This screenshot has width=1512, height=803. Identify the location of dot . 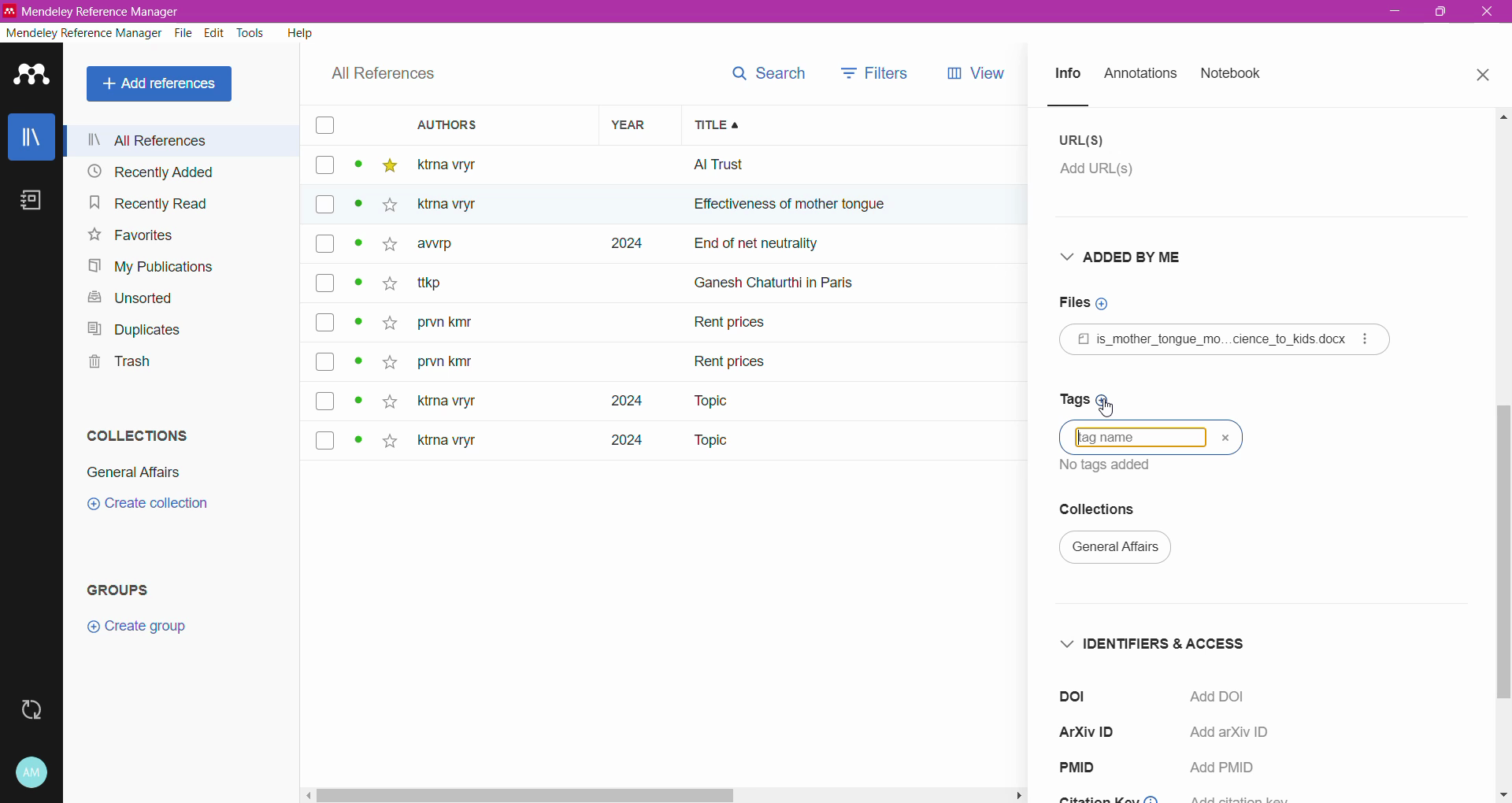
(357, 168).